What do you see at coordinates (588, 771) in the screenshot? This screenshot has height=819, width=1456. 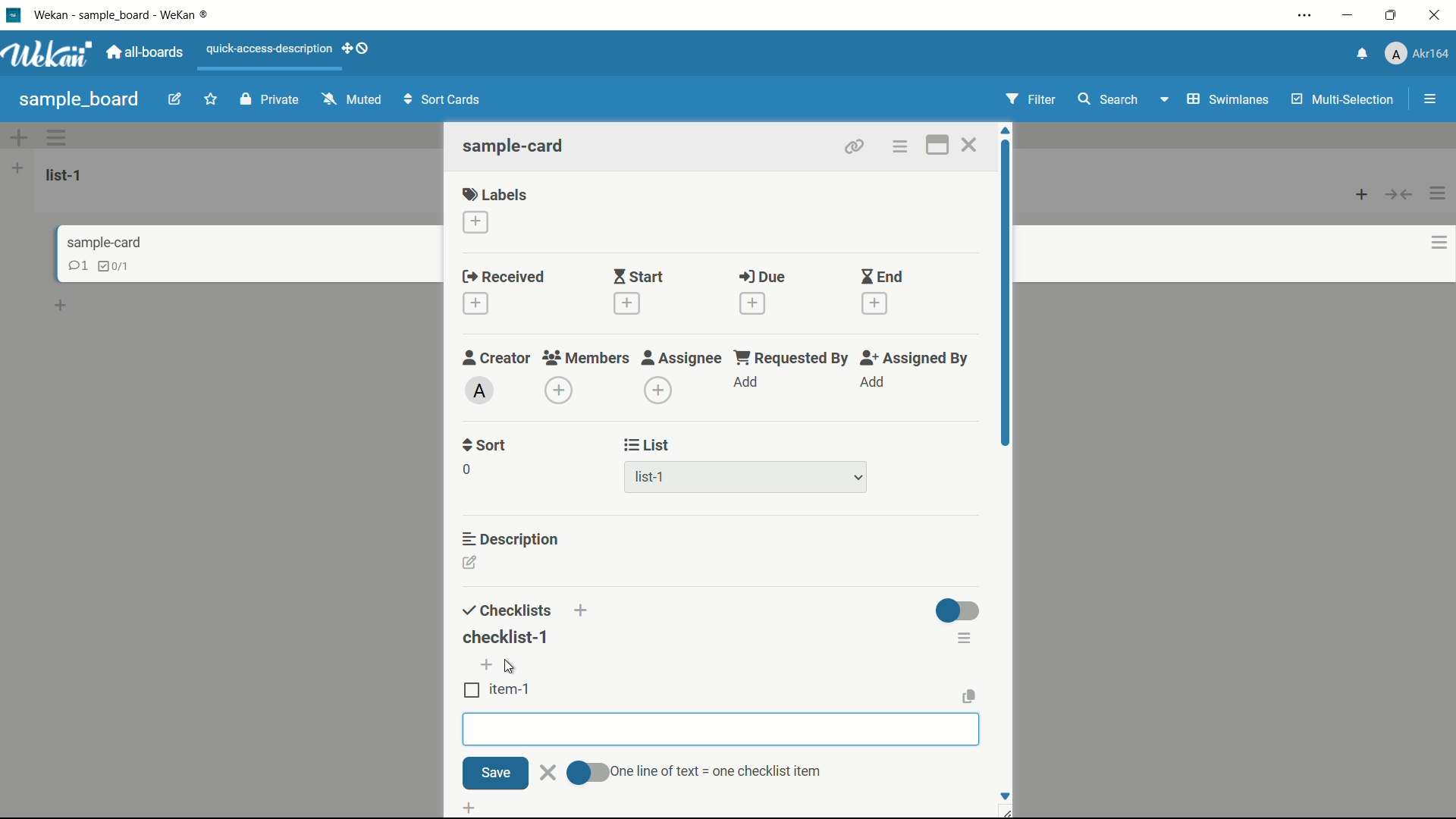 I see `toggle button` at bounding box center [588, 771].